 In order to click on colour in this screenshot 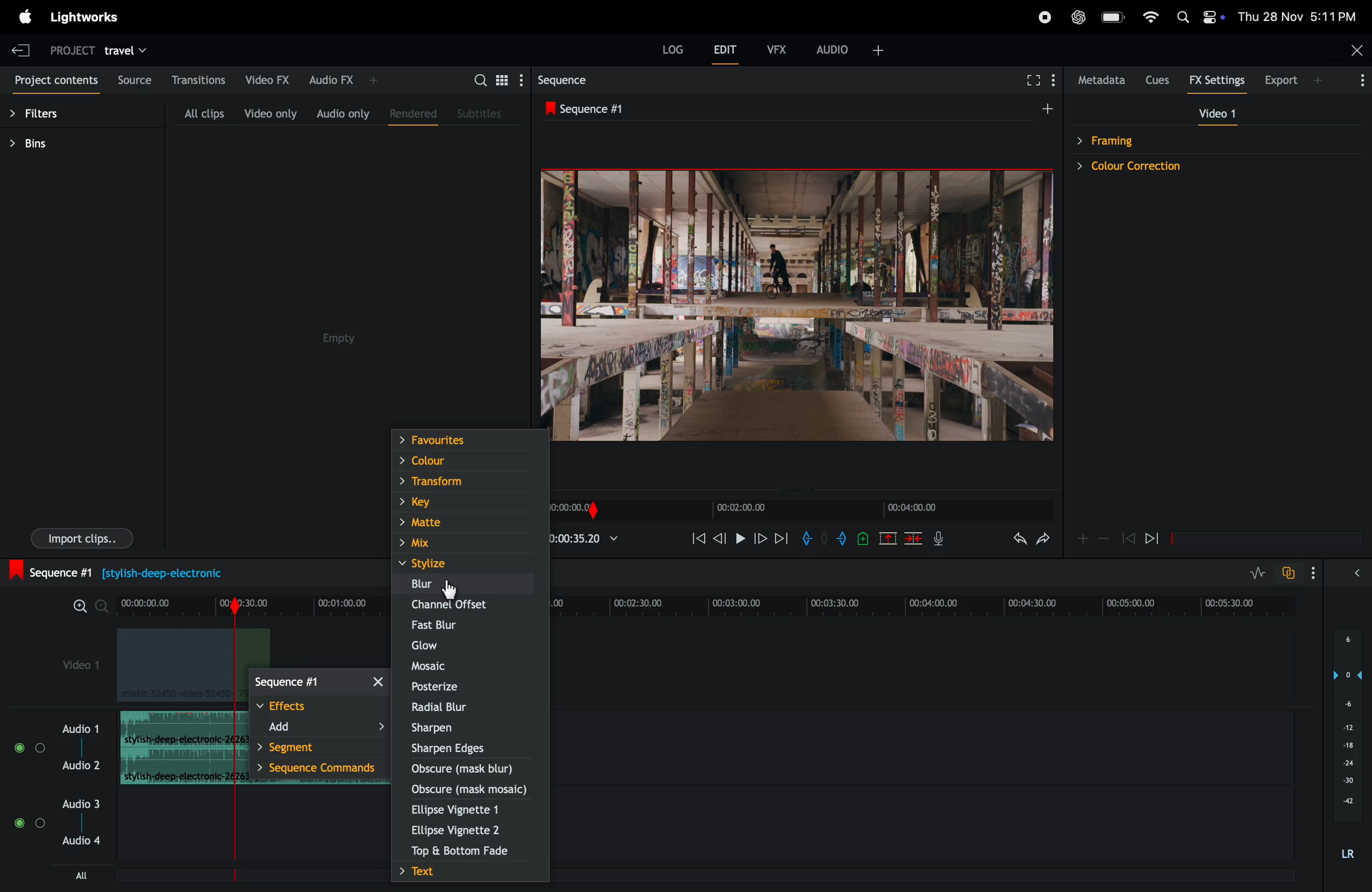, I will do `click(468, 459)`.